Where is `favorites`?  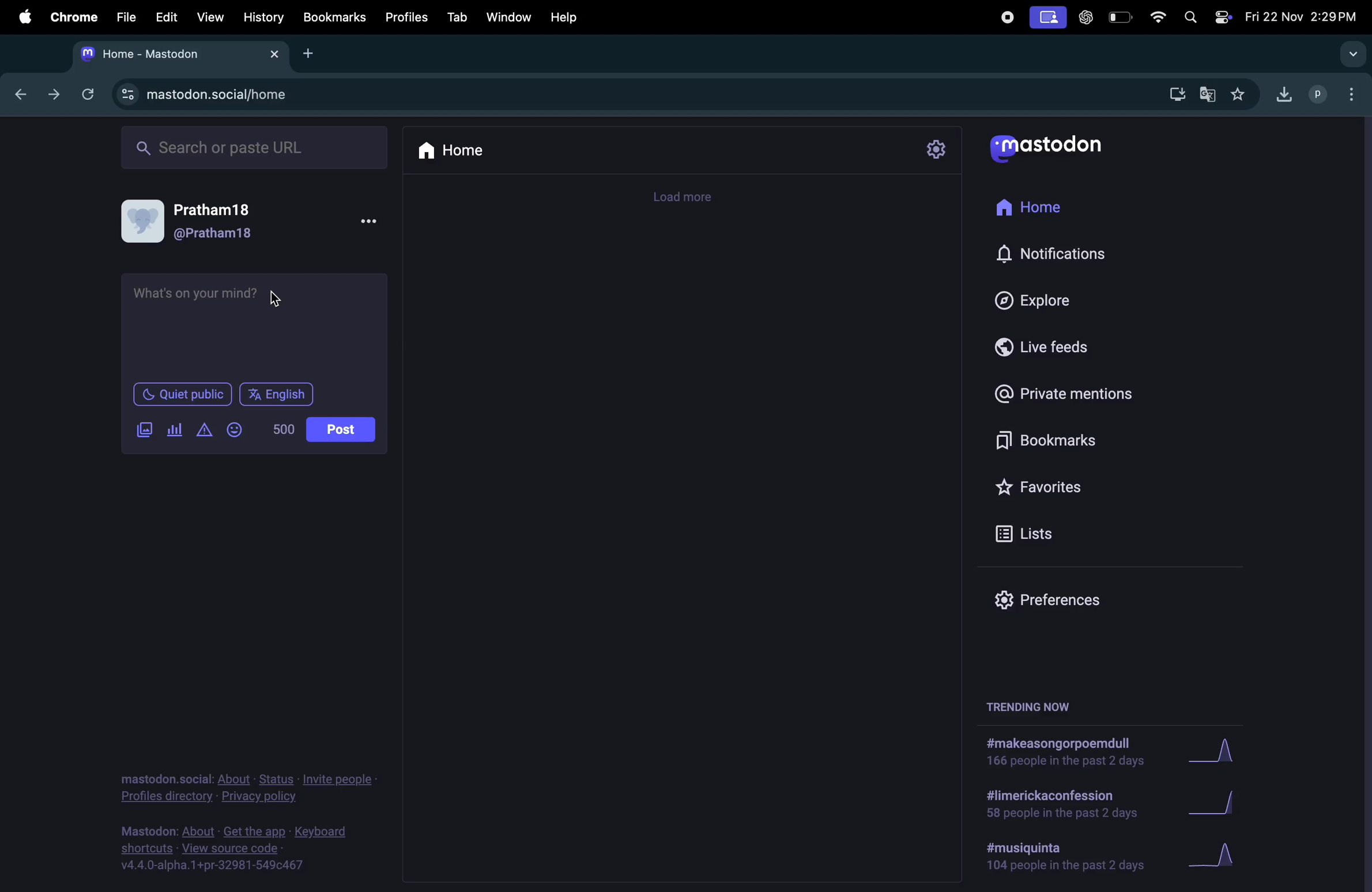 favorites is located at coordinates (1088, 486).